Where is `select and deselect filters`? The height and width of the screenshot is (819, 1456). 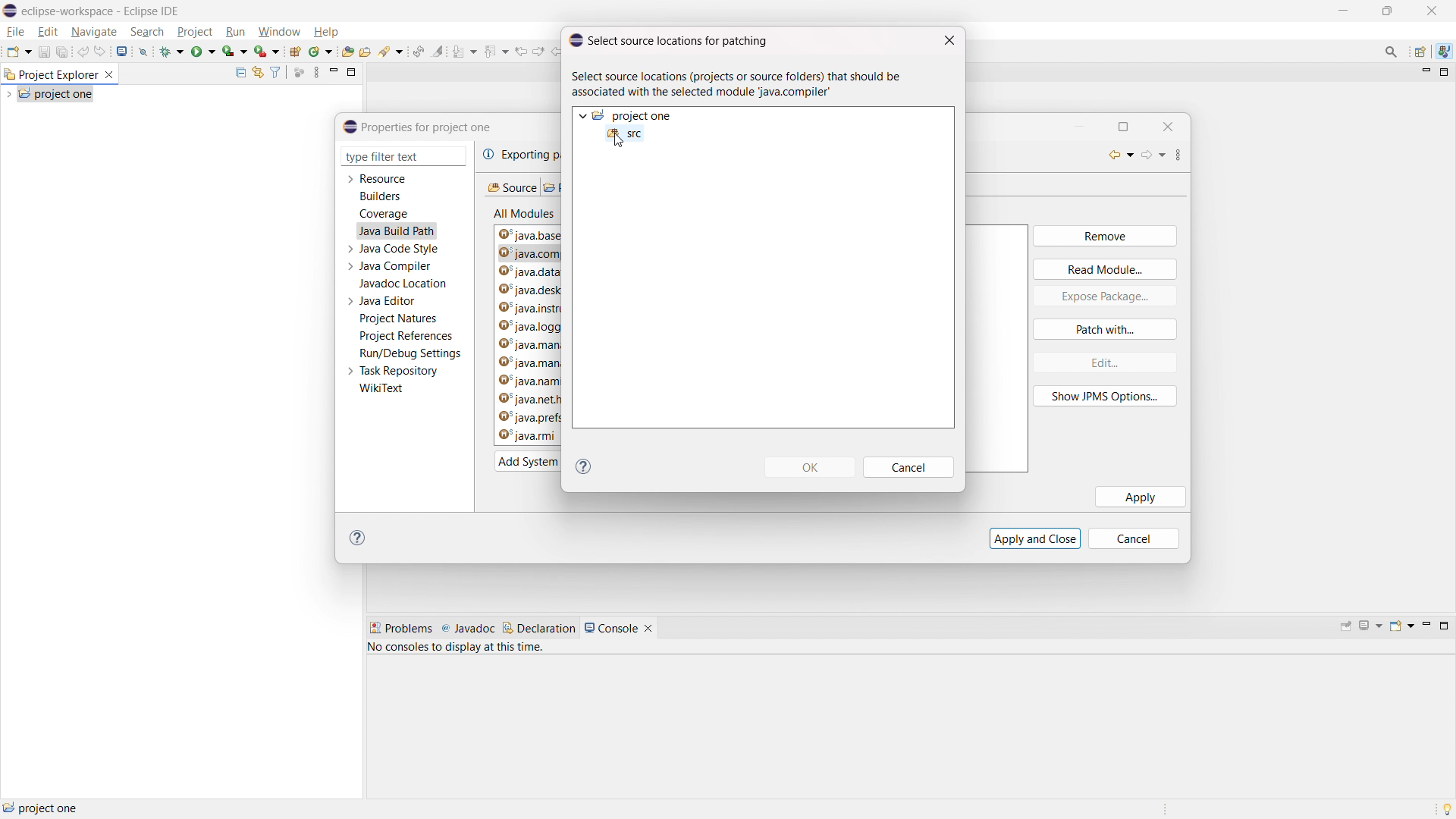 select and deselect filters is located at coordinates (275, 73).